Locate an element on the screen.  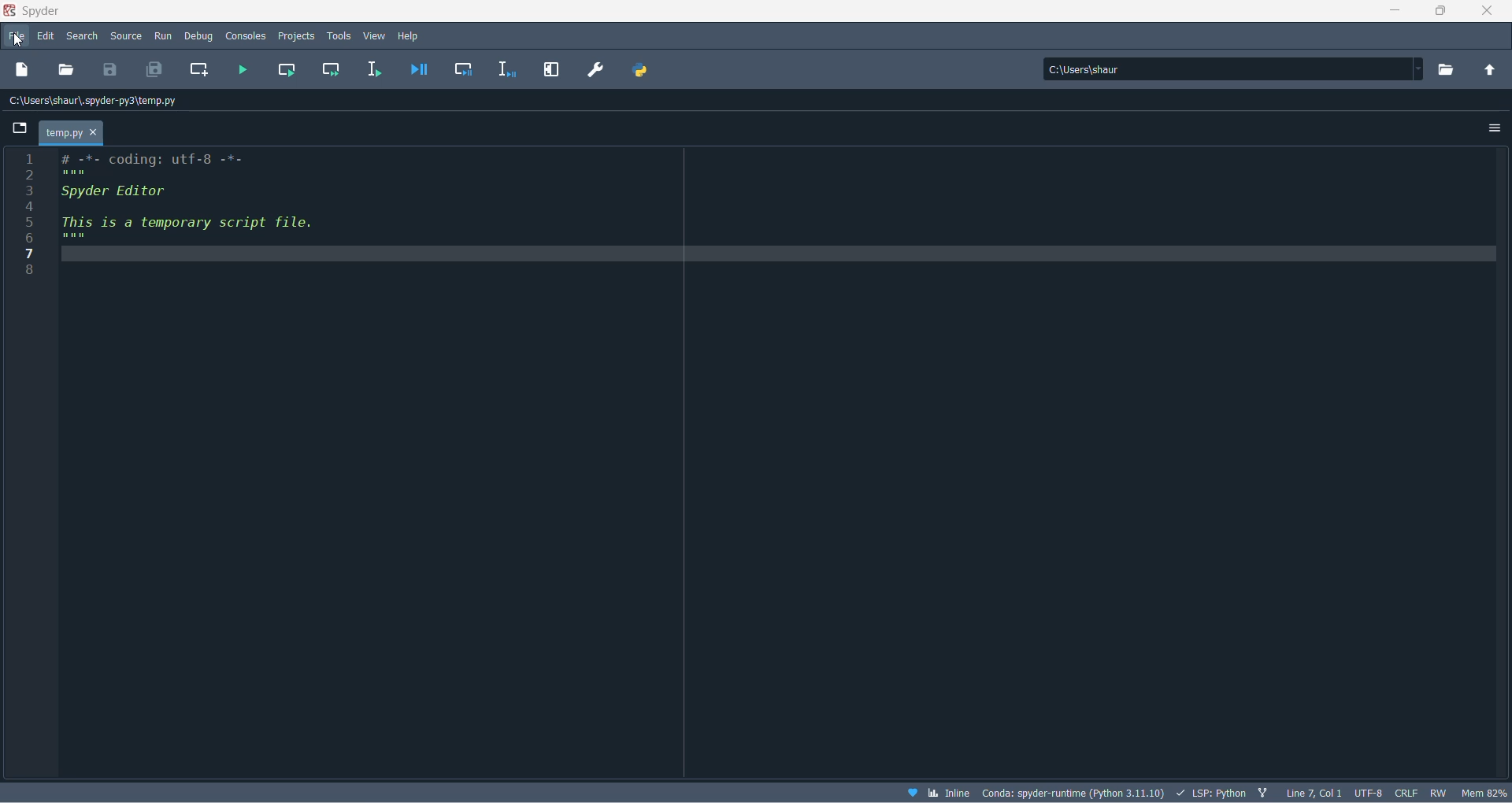
minimize is located at coordinates (1395, 14).